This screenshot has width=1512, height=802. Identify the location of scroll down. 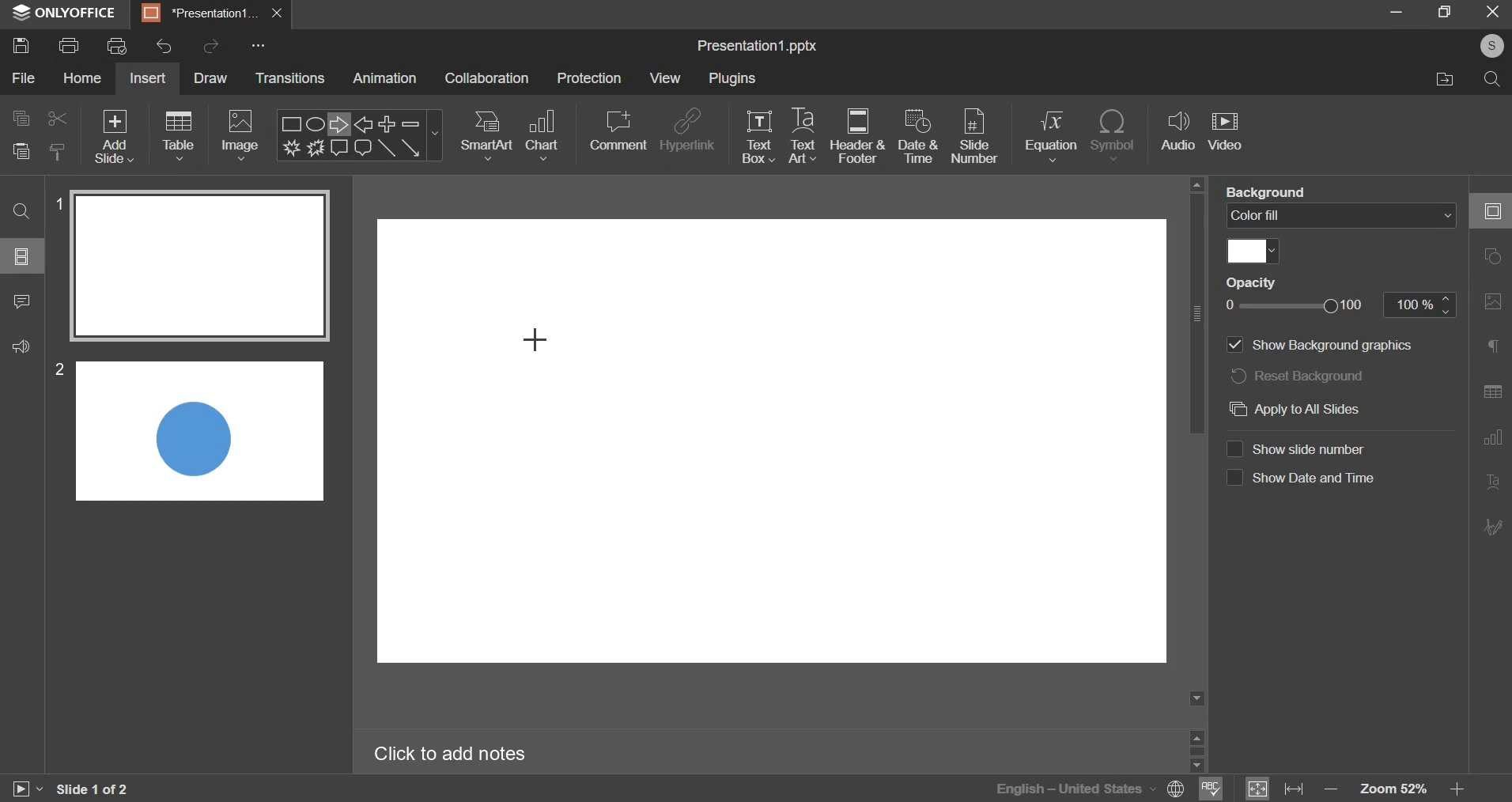
(1198, 698).